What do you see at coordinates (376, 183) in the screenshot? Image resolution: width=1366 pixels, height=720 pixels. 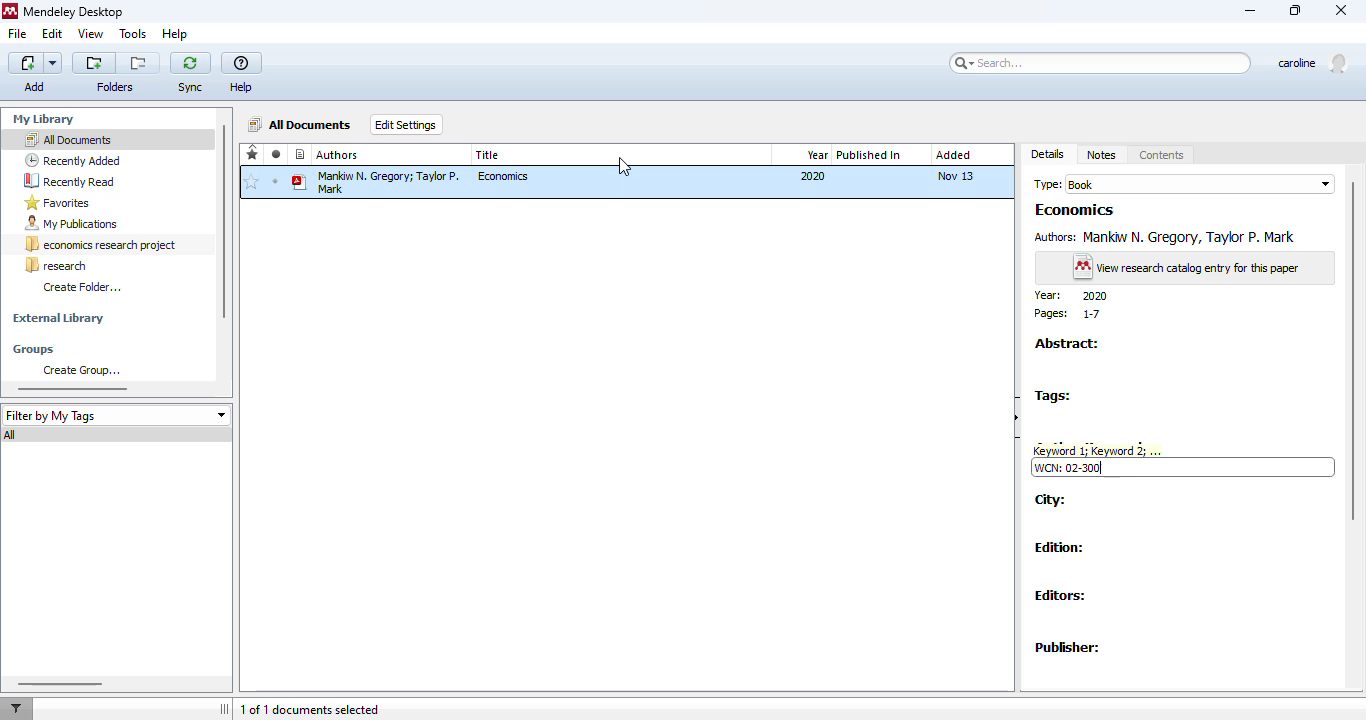 I see `Mankiw N. Gregory; Taylor P. Mark` at bounding box center [376, 183].